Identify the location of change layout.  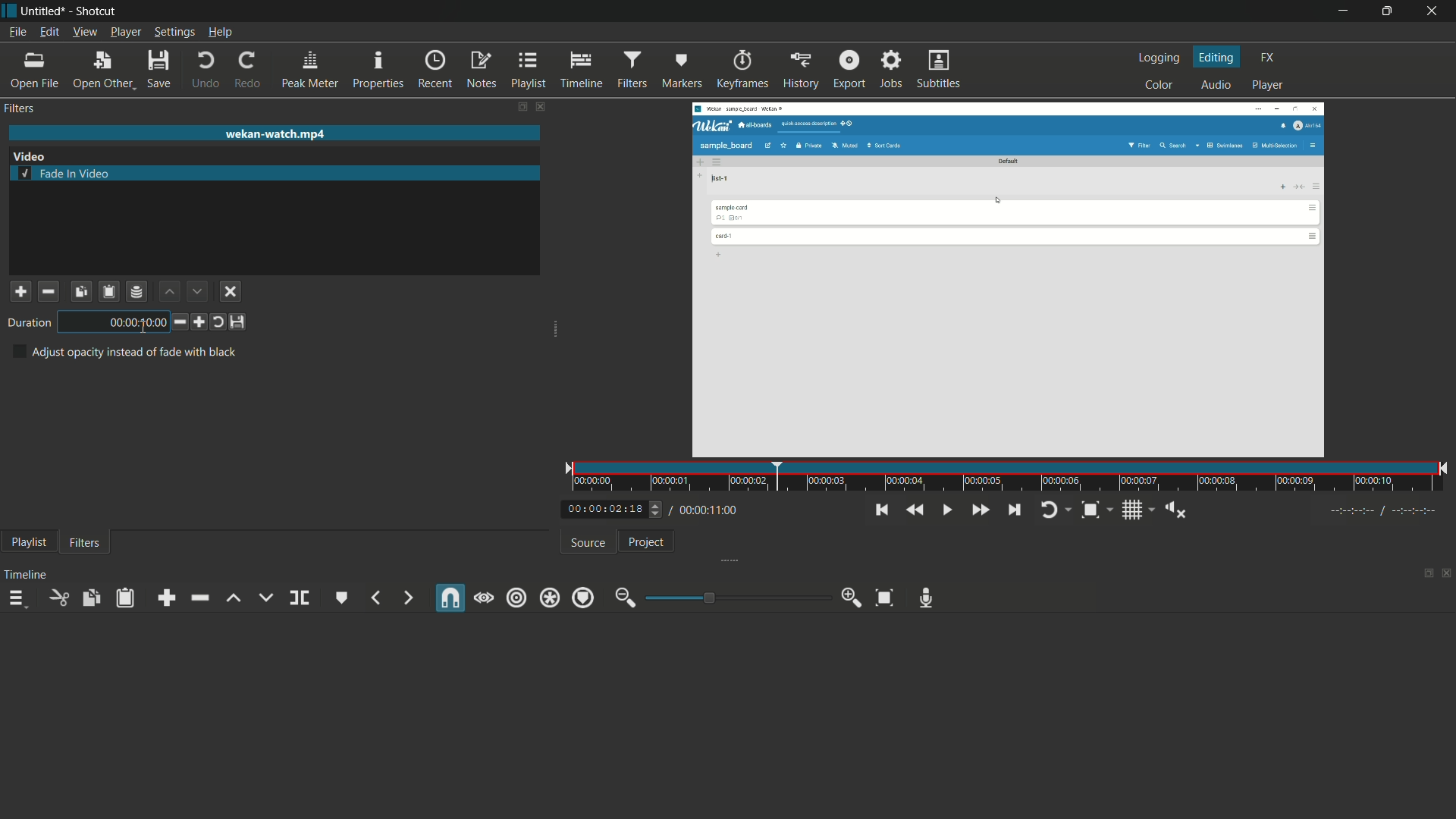
(1426, 572).